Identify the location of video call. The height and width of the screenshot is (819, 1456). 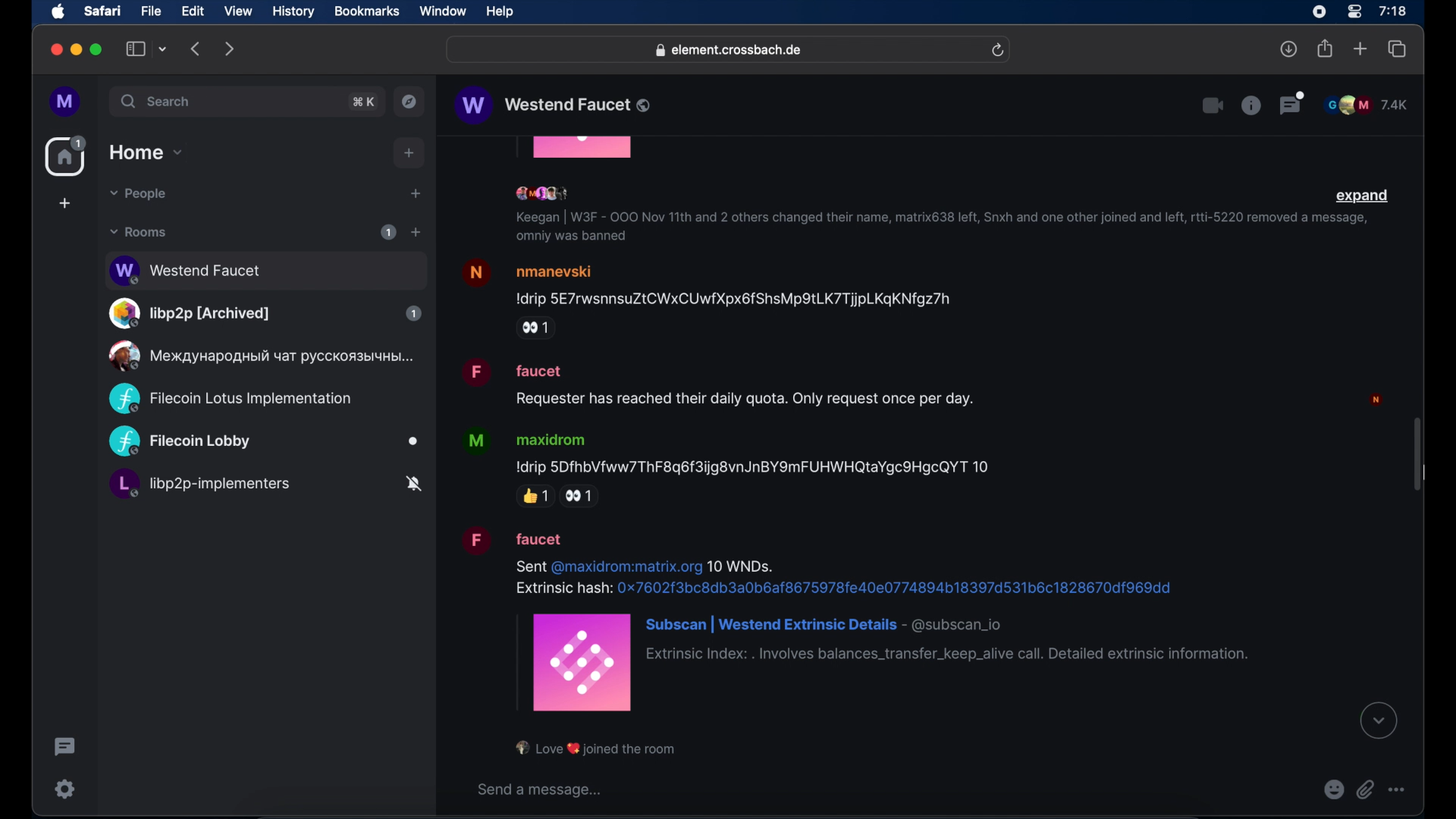
(1211, 106).